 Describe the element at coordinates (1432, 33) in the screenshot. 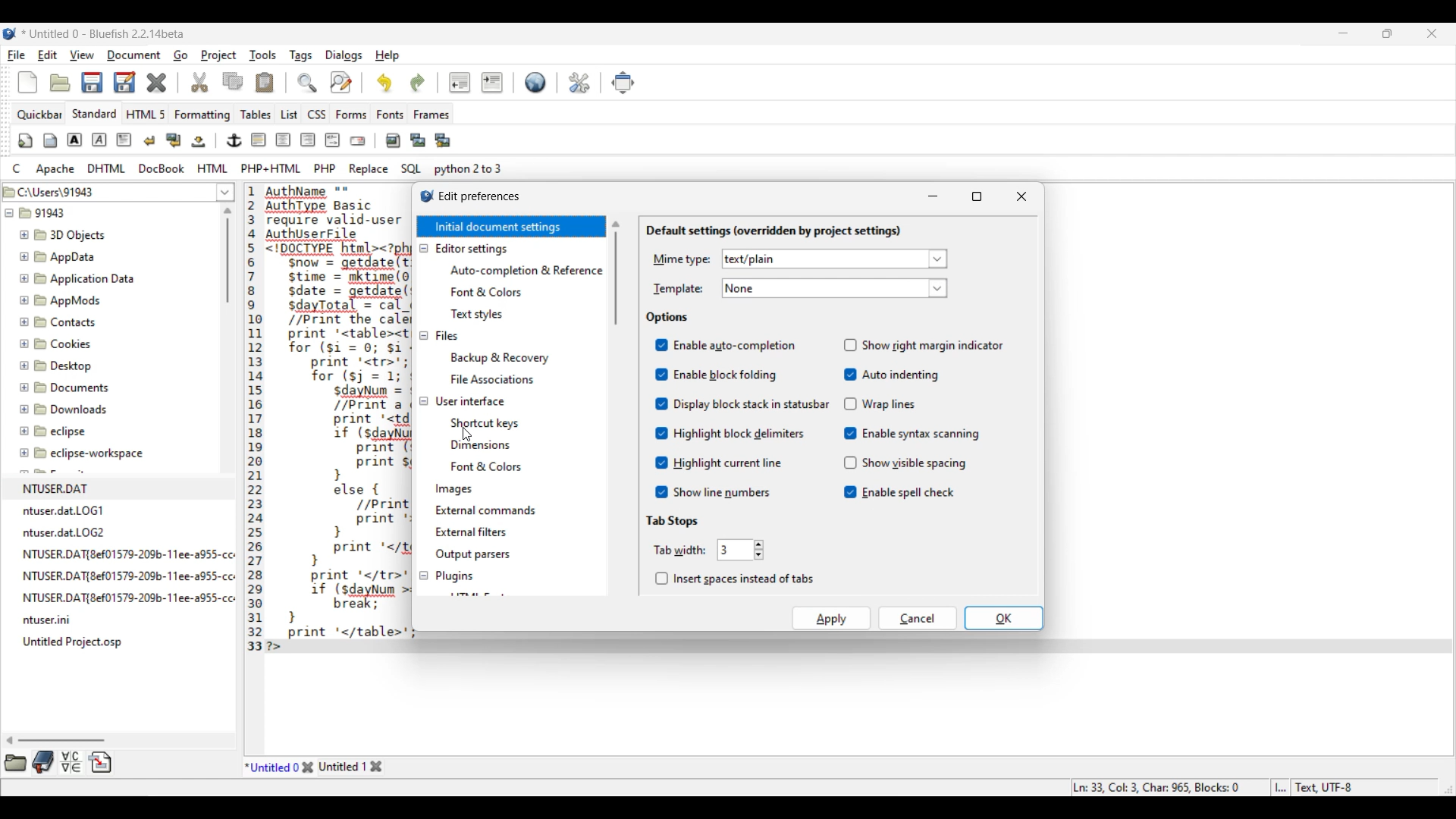

I see `Close interface` at that location.